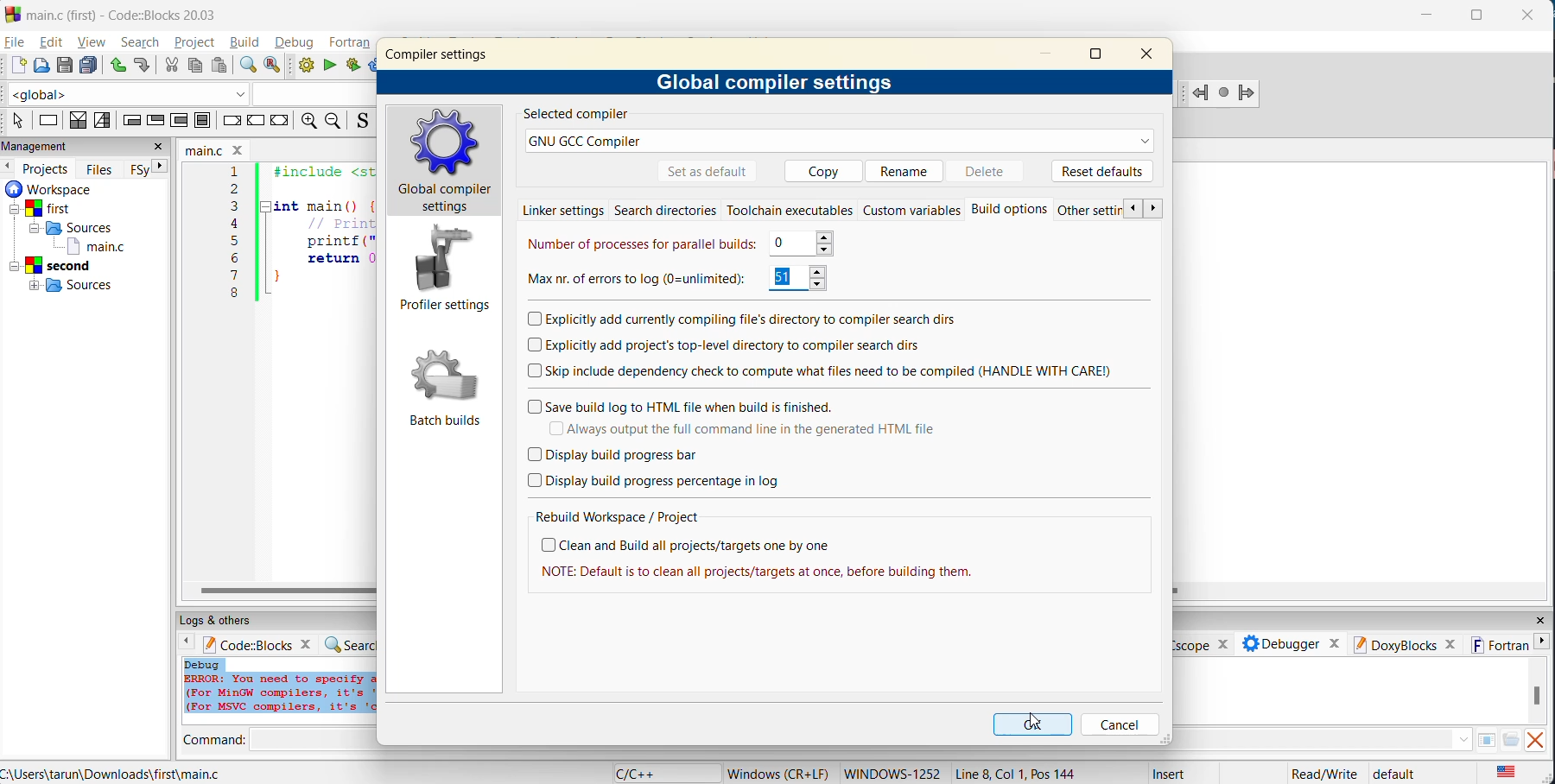 The image size is (1555, 784). I want to click on save, so click(65, 66).